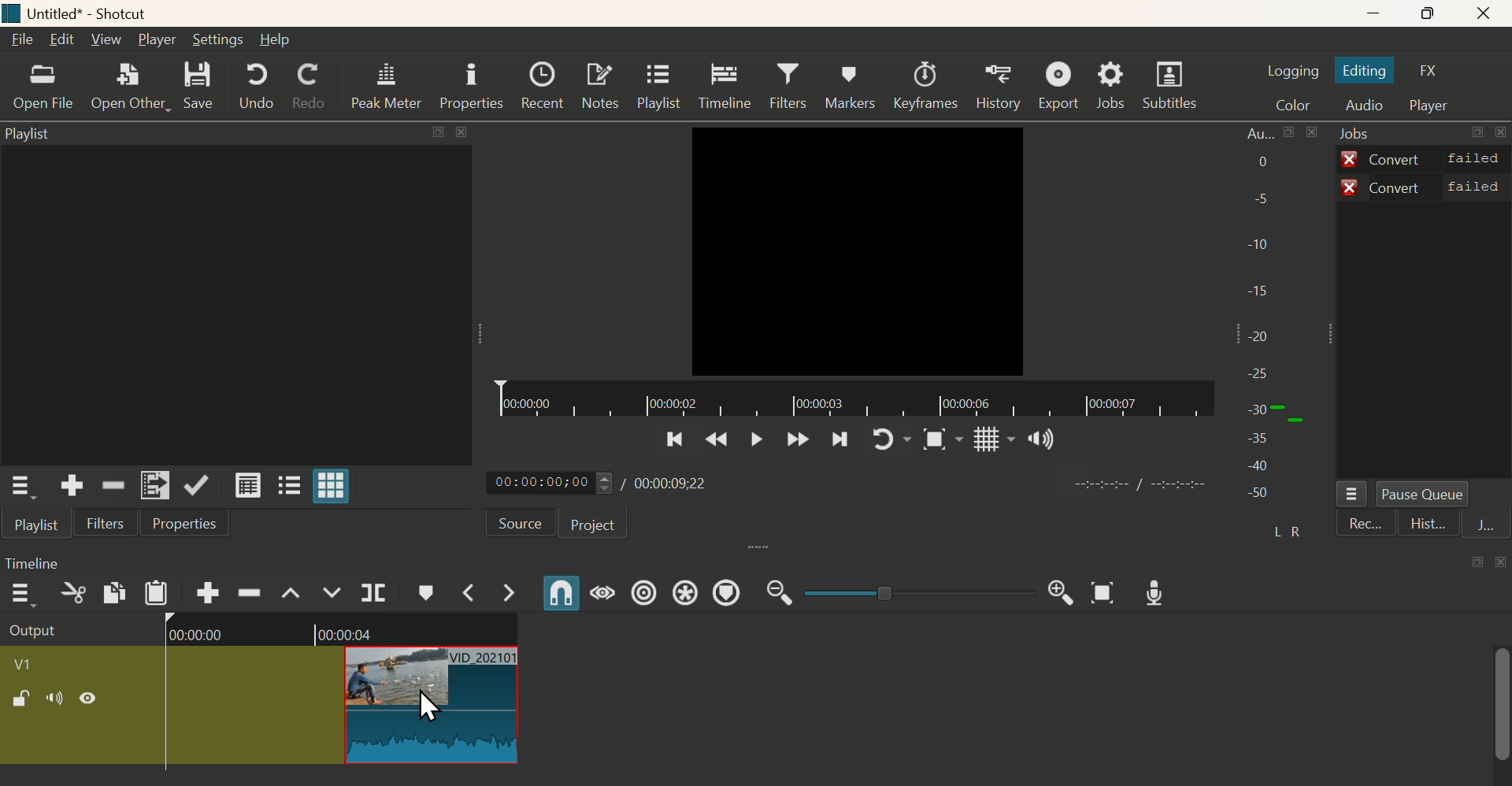 This screenshot has height=786, width=1512. Describe the element at coordinates (1434, 71) in the screenshot. I see `FX` at that location.